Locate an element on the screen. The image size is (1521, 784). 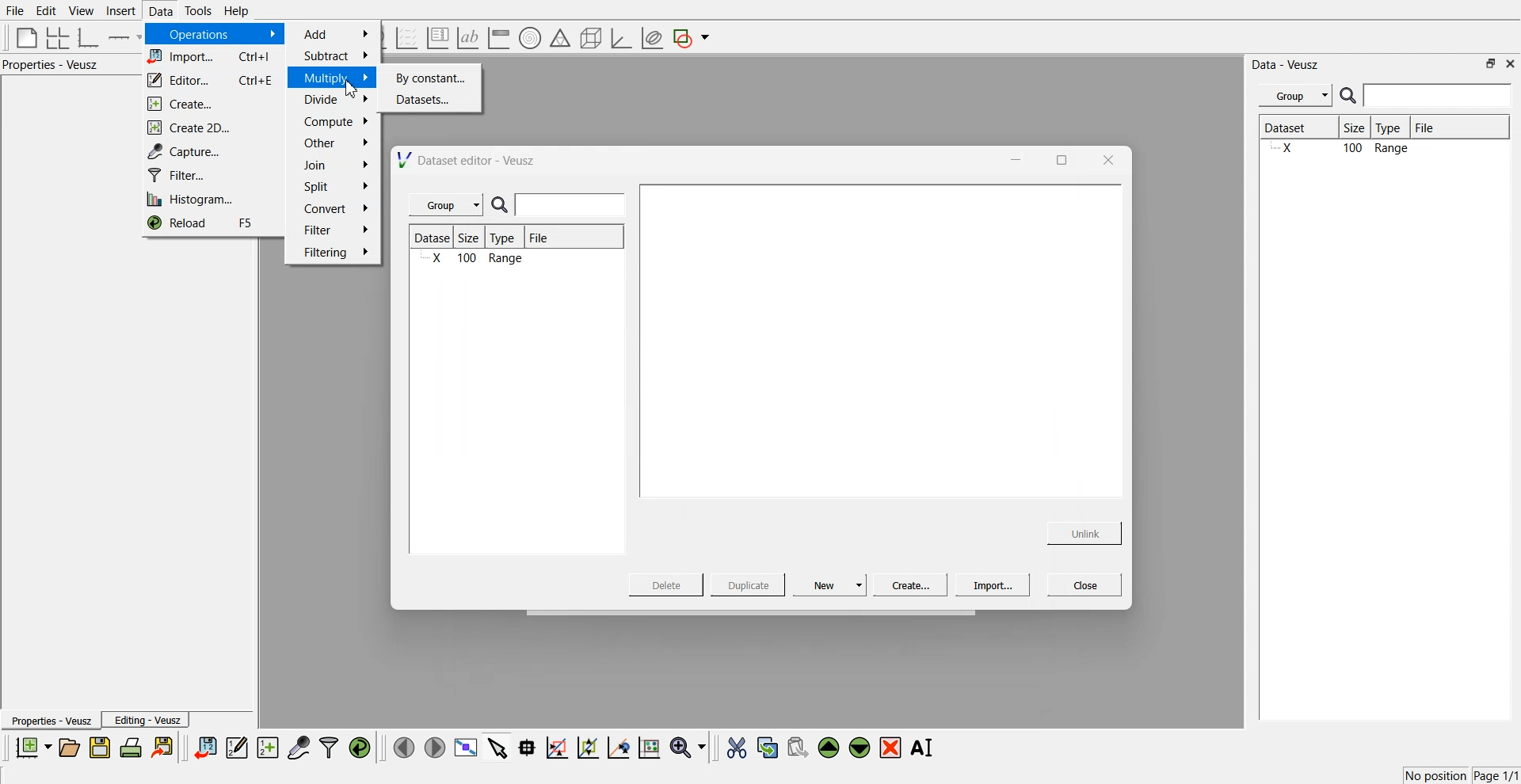
add a shape is located at coordinates (692, 39).